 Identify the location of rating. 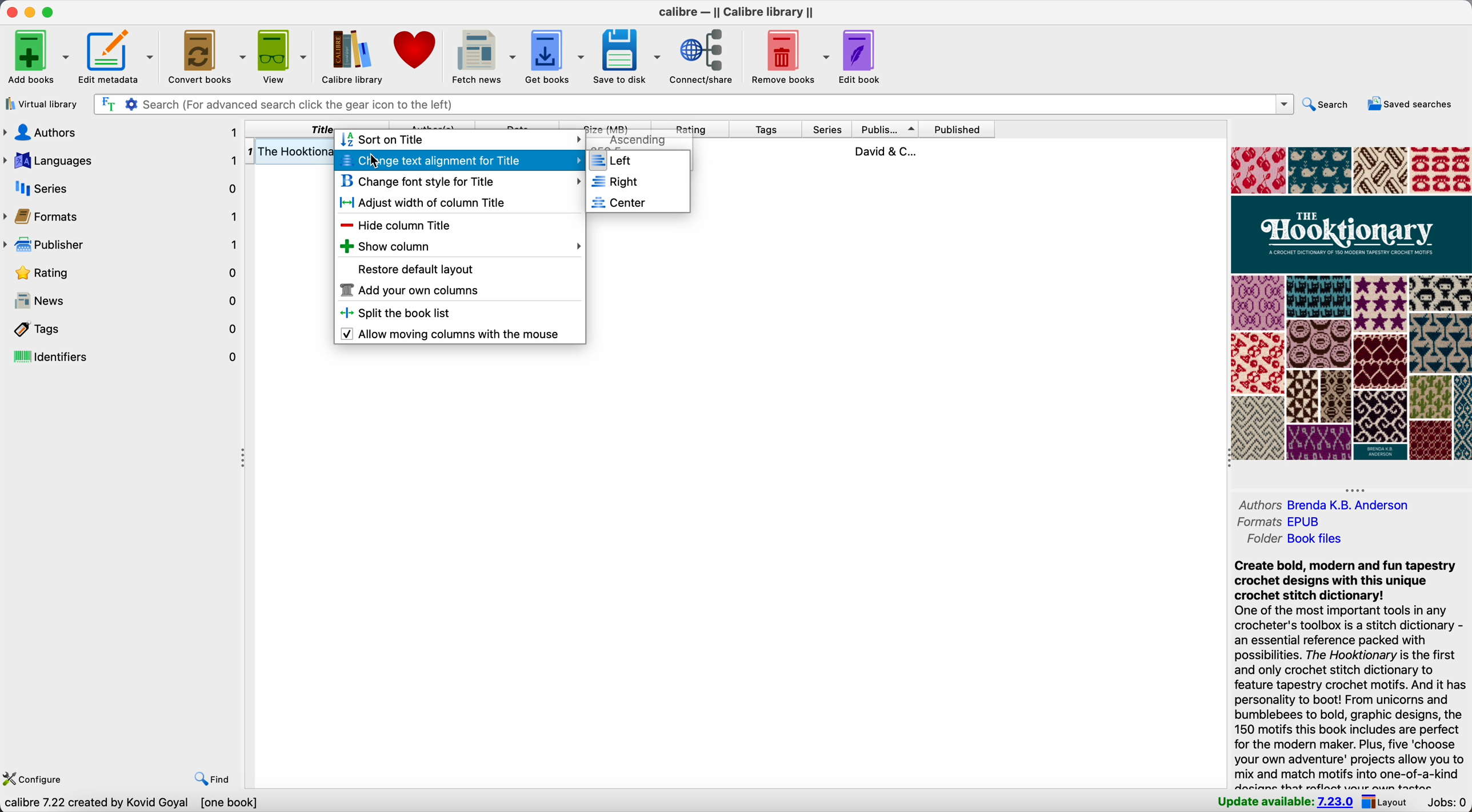
(122, 275).